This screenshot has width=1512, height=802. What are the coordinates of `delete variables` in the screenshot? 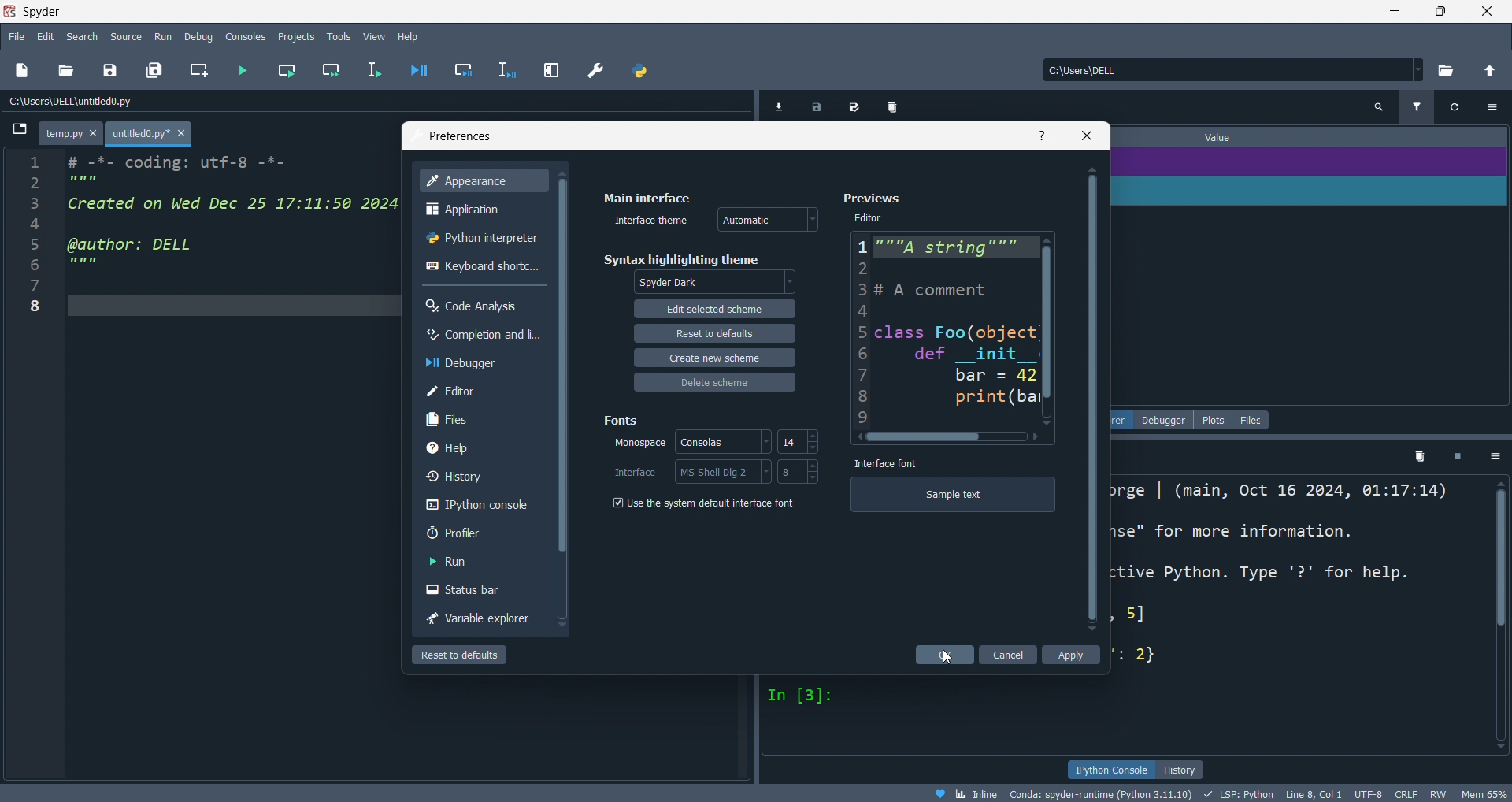 It's located at (891, 103).